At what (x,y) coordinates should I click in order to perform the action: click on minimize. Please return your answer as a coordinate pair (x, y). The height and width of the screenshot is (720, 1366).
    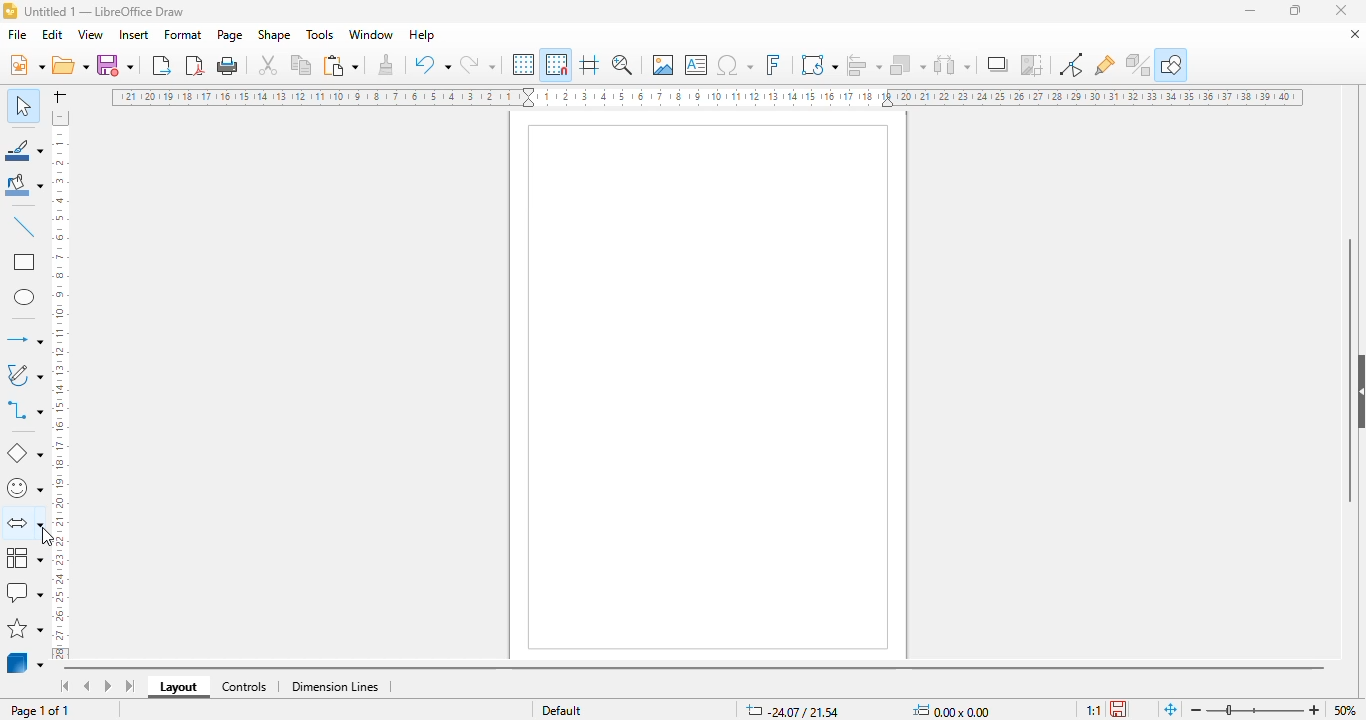
    Looking at the image, I should click on (1250, 12).